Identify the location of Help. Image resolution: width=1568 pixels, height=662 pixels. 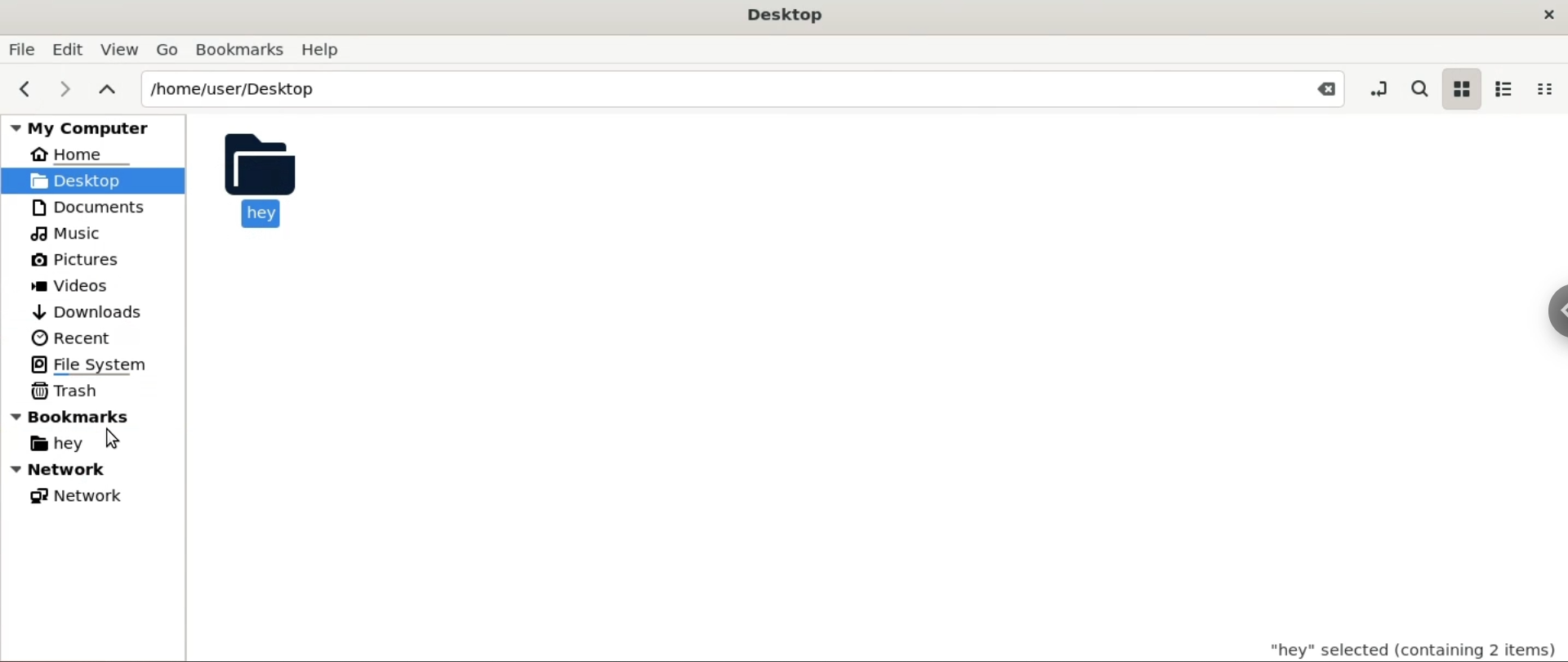
(325, 51).